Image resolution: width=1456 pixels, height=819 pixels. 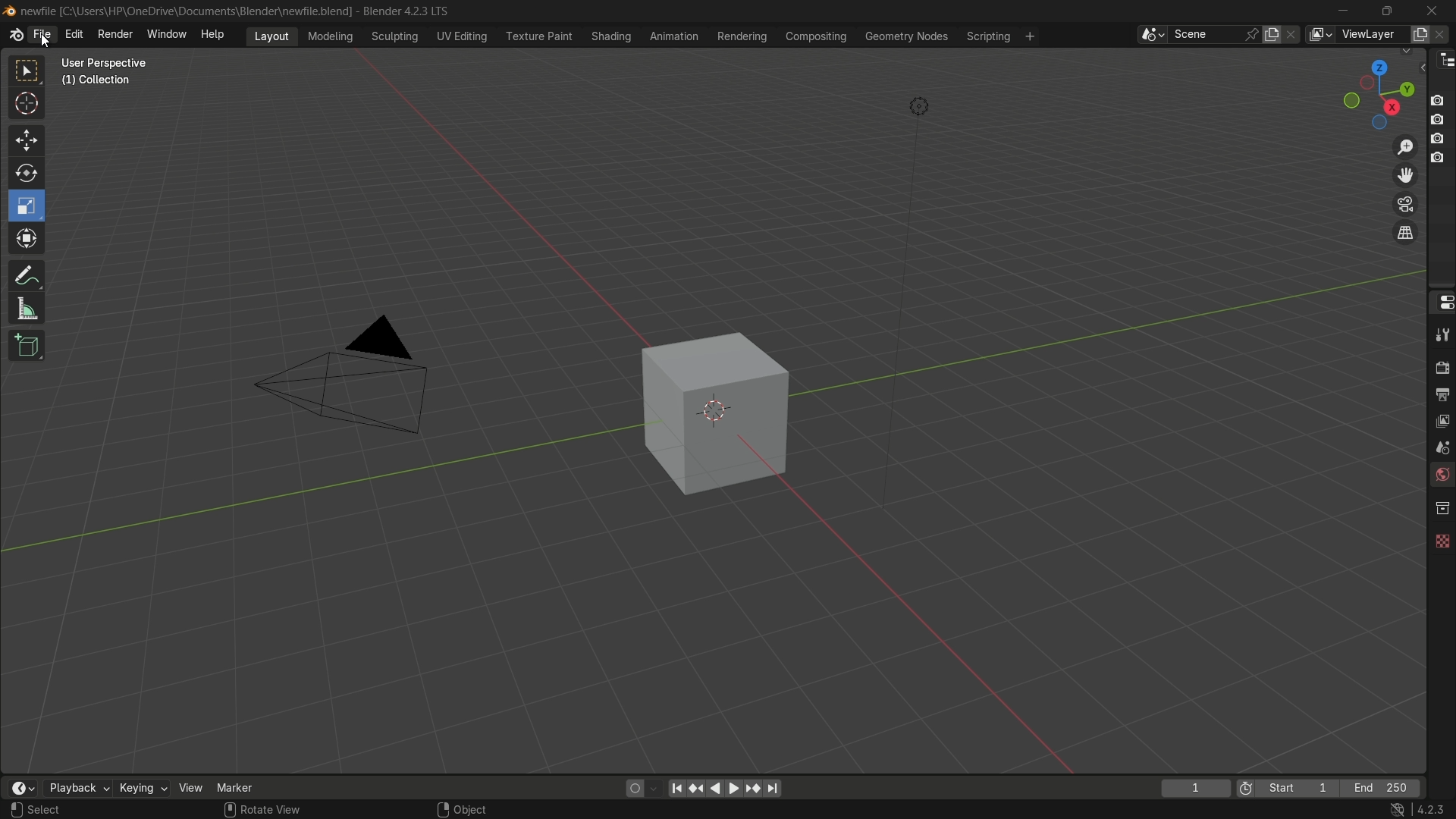 I want to click on Collection, so click(x=99, y=83).